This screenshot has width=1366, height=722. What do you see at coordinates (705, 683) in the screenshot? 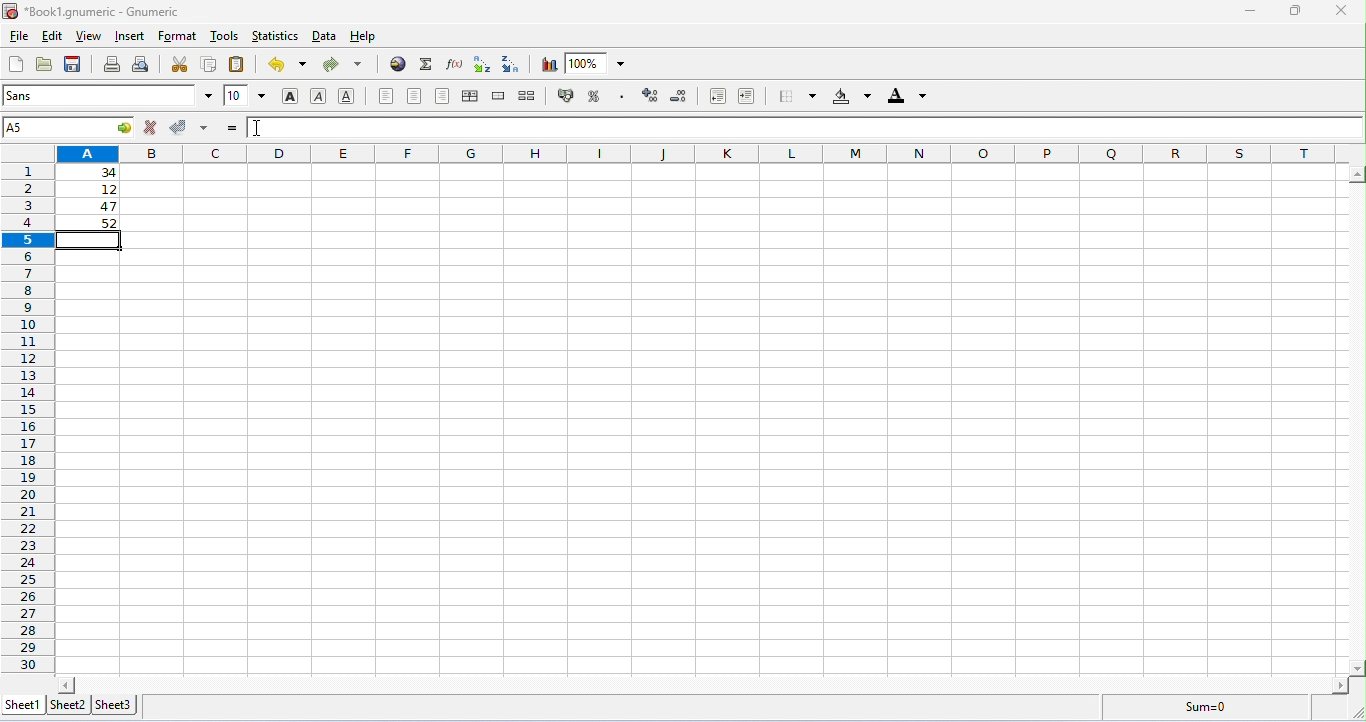
I see `space for horizontal scroll bar` at bounding box center [705, 683].